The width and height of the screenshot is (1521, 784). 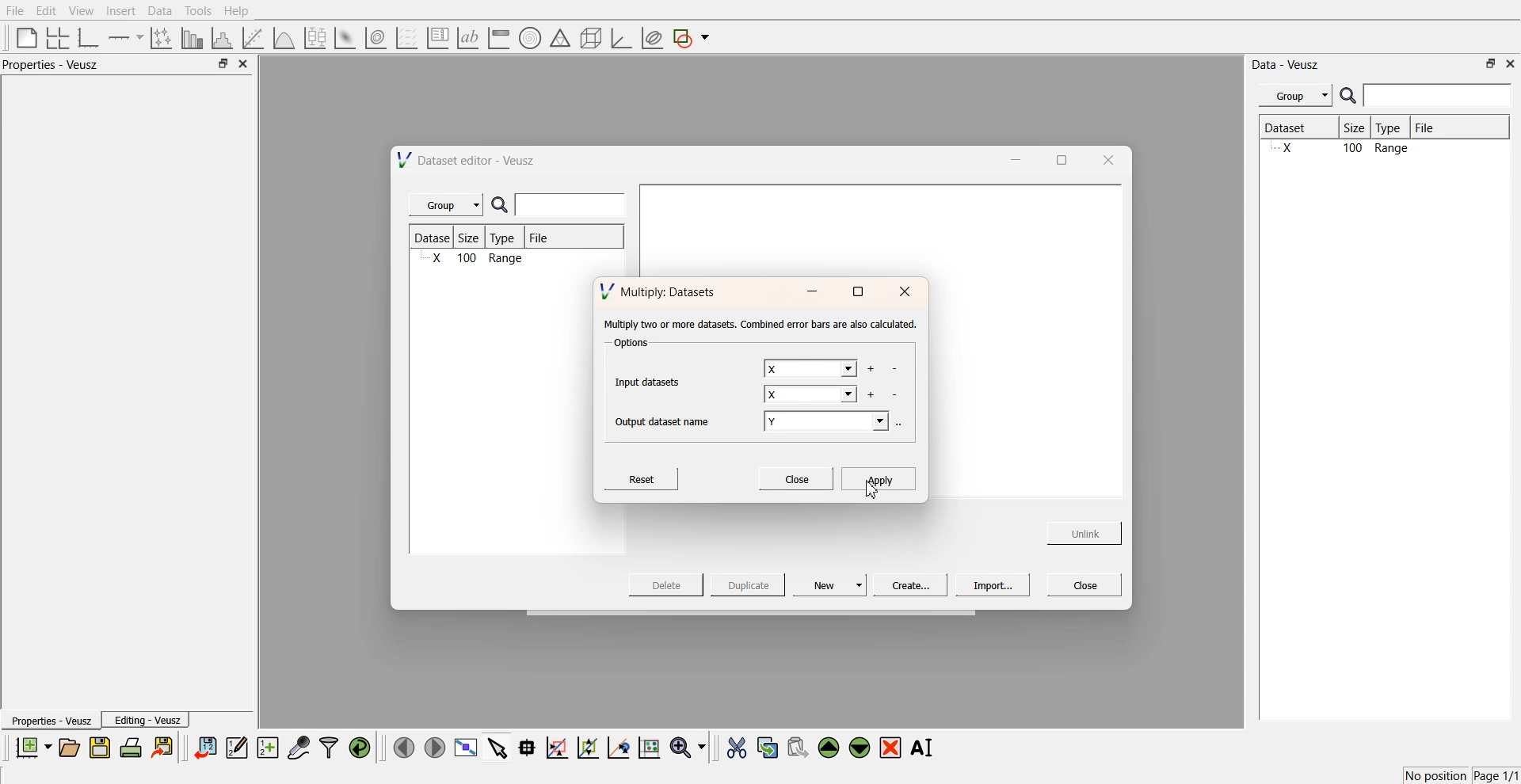 I want to click on cut the selected widgets, so click(x=735, y=748).